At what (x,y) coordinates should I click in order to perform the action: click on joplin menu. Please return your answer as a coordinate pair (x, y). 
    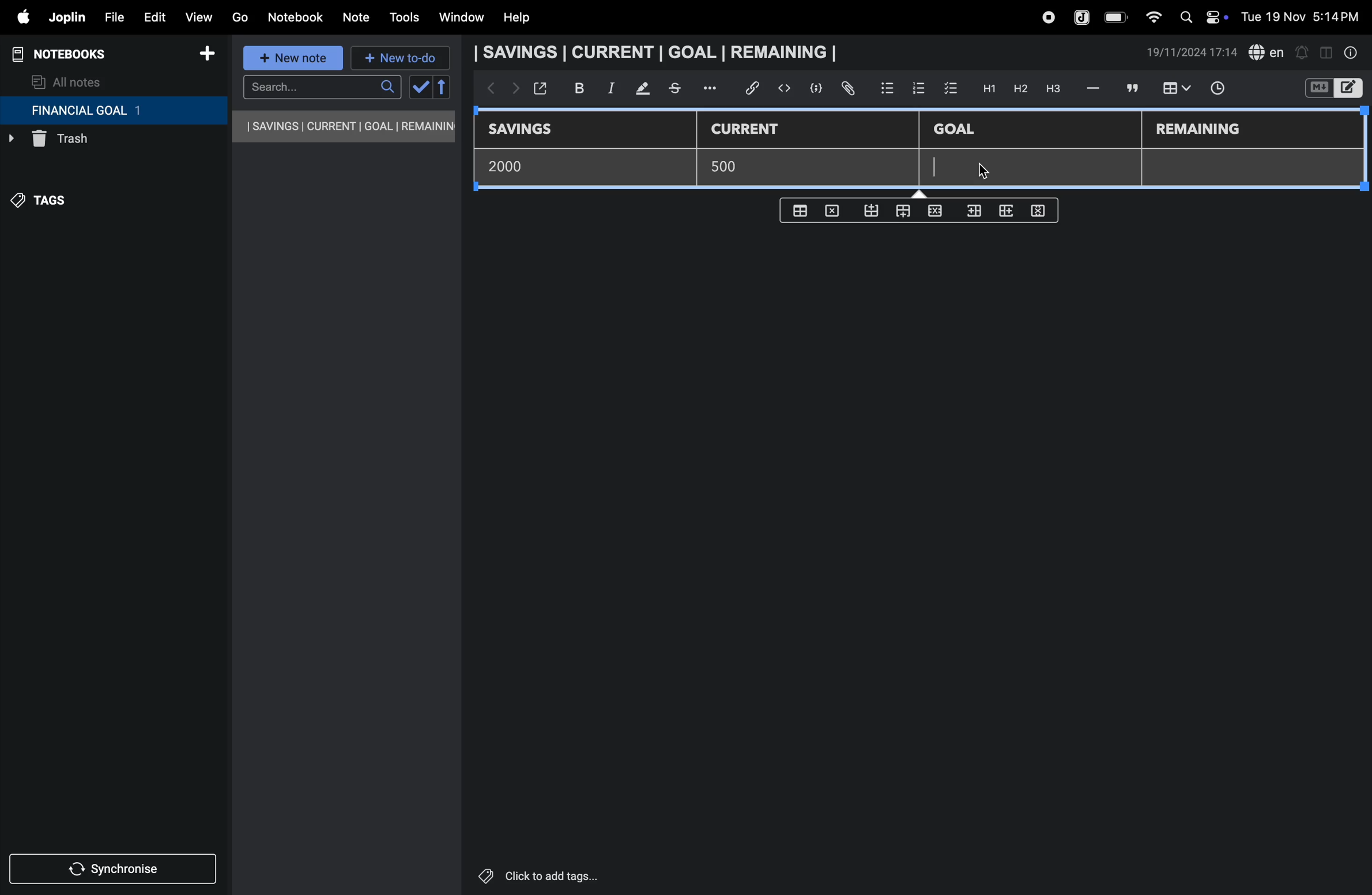
    Looking at the image, I should click on (65, 17).